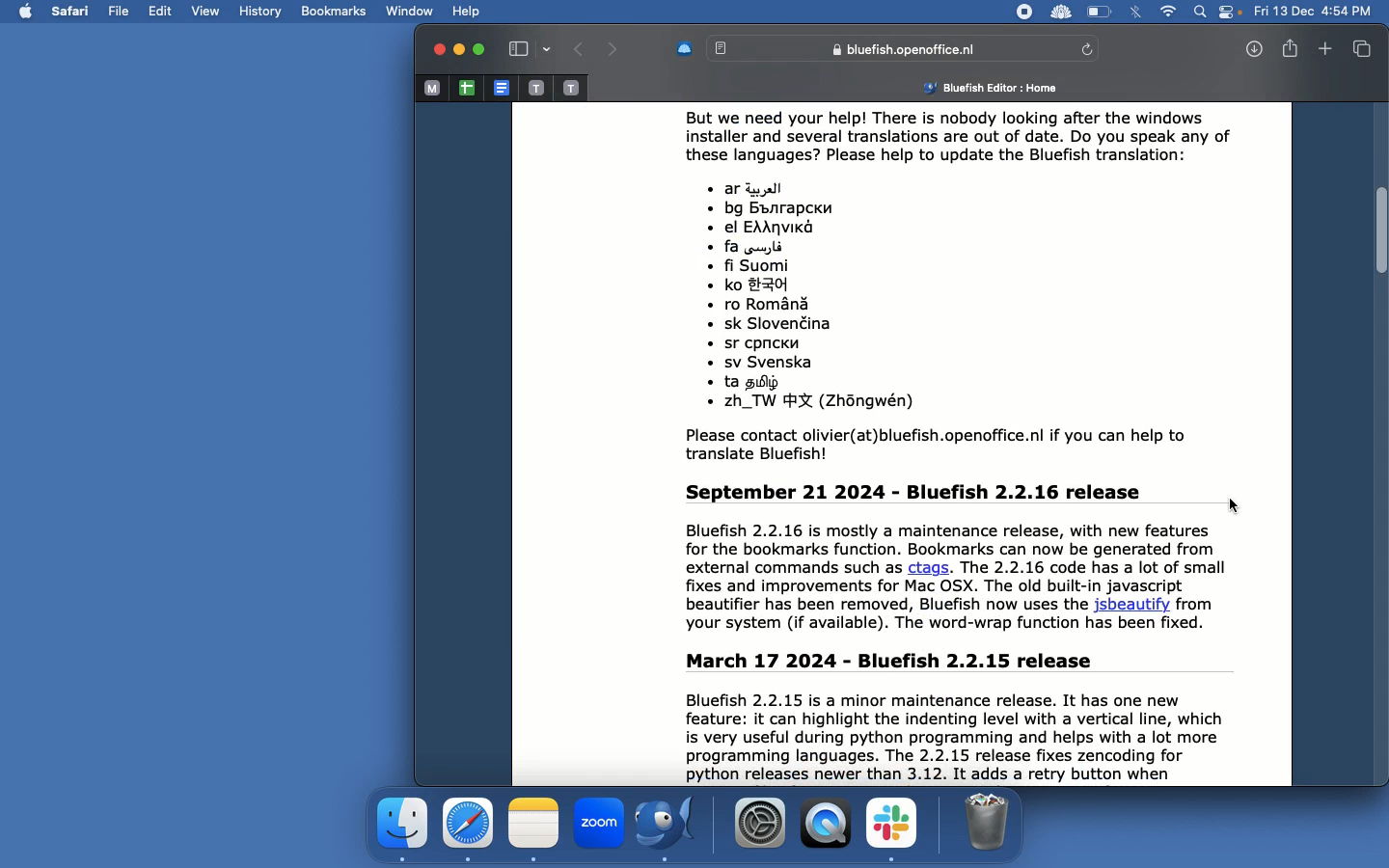 The image size is (1389, 868). Describe the element at coordinates (613, 48) in the screenshot. I see `Forward ` at that location.